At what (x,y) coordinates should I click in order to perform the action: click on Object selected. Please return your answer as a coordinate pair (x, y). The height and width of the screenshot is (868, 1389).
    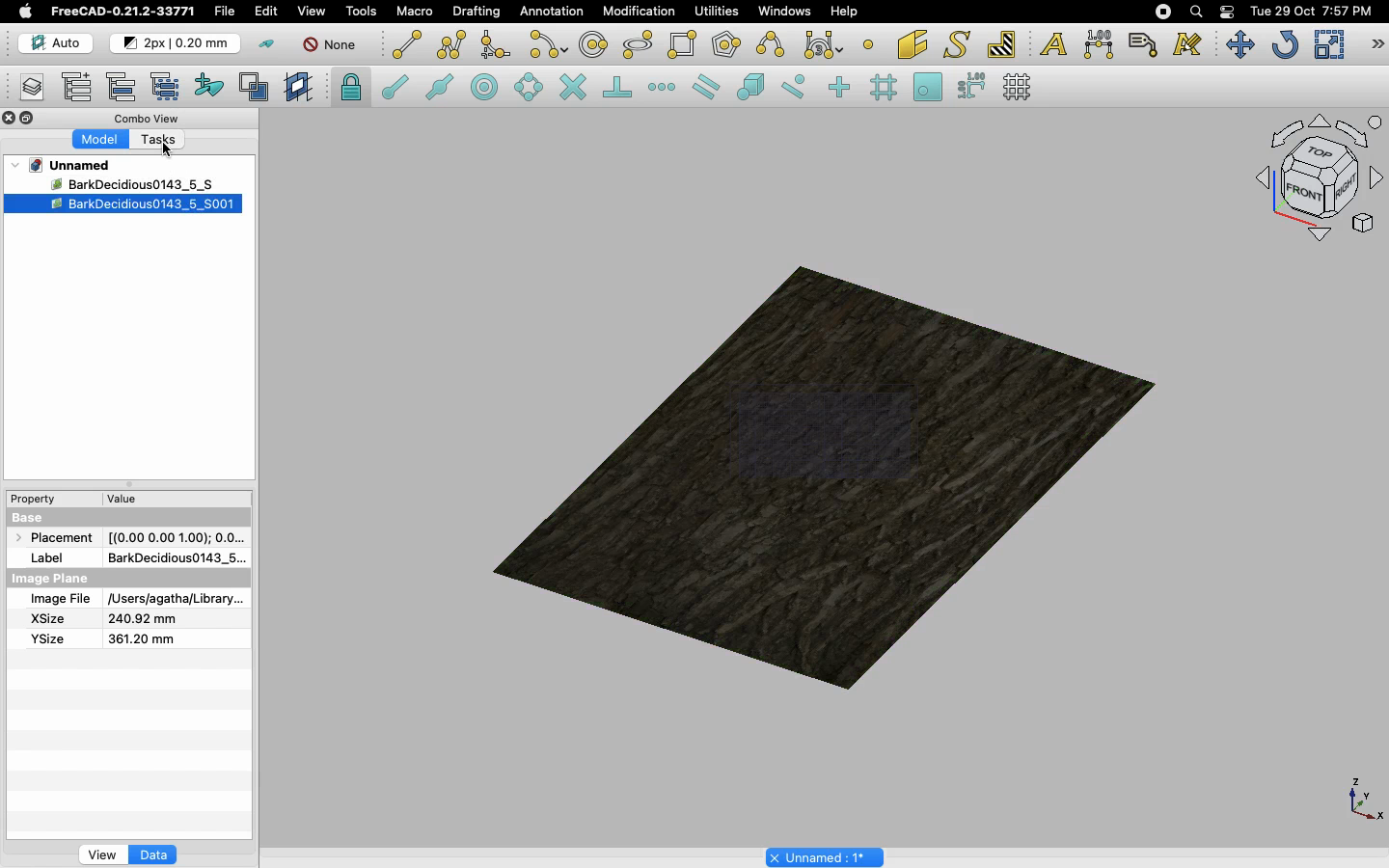
    Looking at the image, I should click on (110, 183).